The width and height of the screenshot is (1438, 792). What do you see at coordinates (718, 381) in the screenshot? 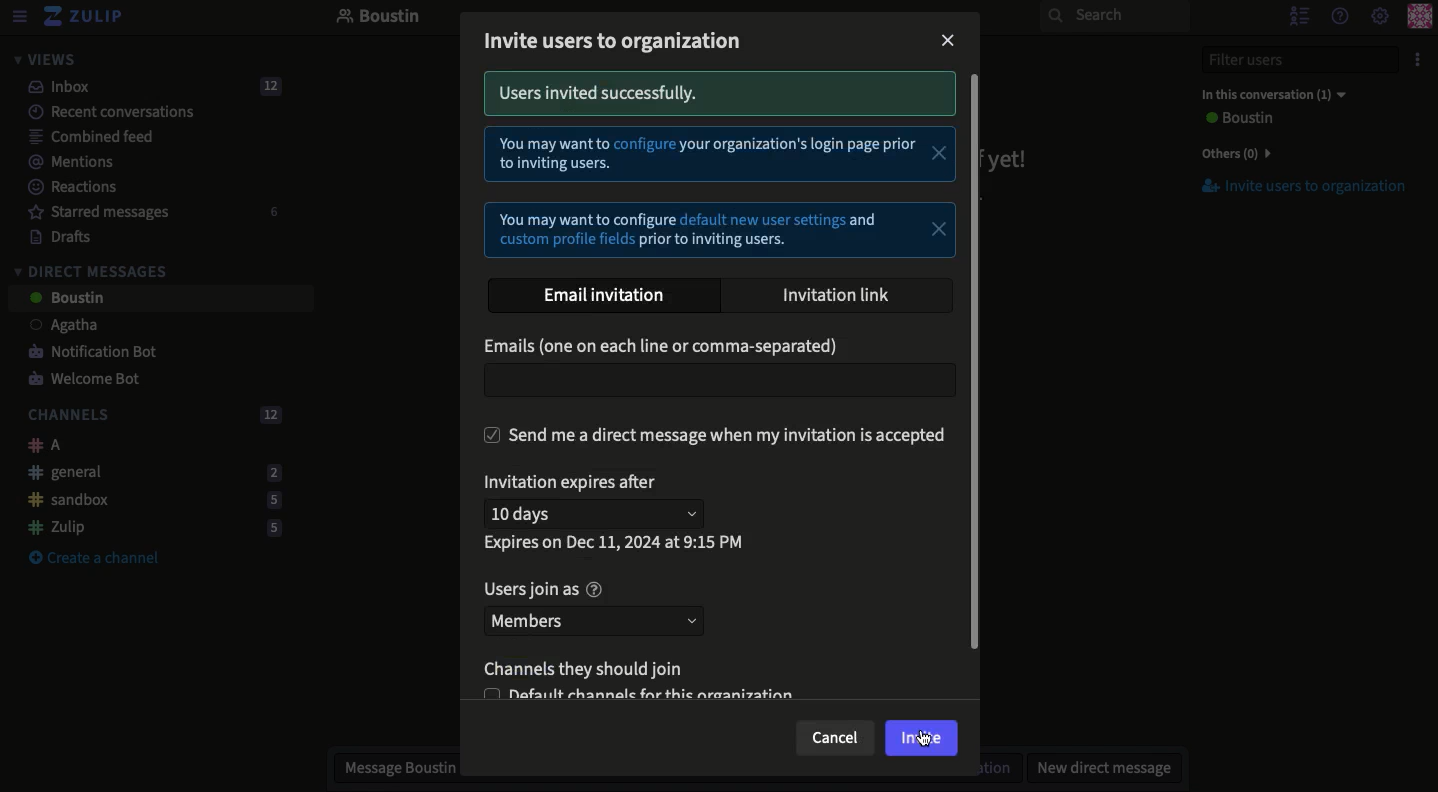
I see `add Email` at bounding box center [718, 381].